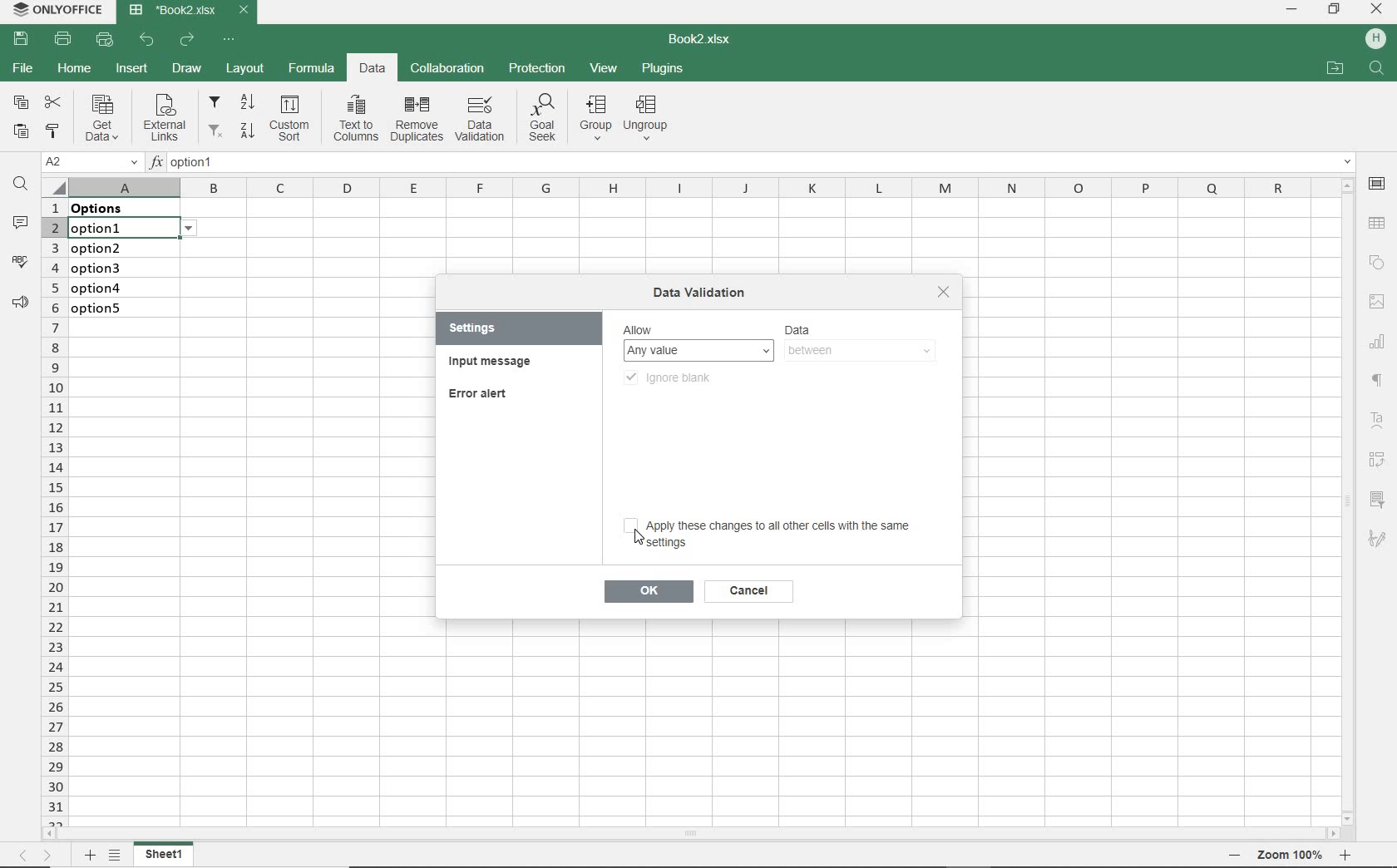 The width and height of the screenshot is (1397, 868). I want to click on CHART, so click(1379, 344).